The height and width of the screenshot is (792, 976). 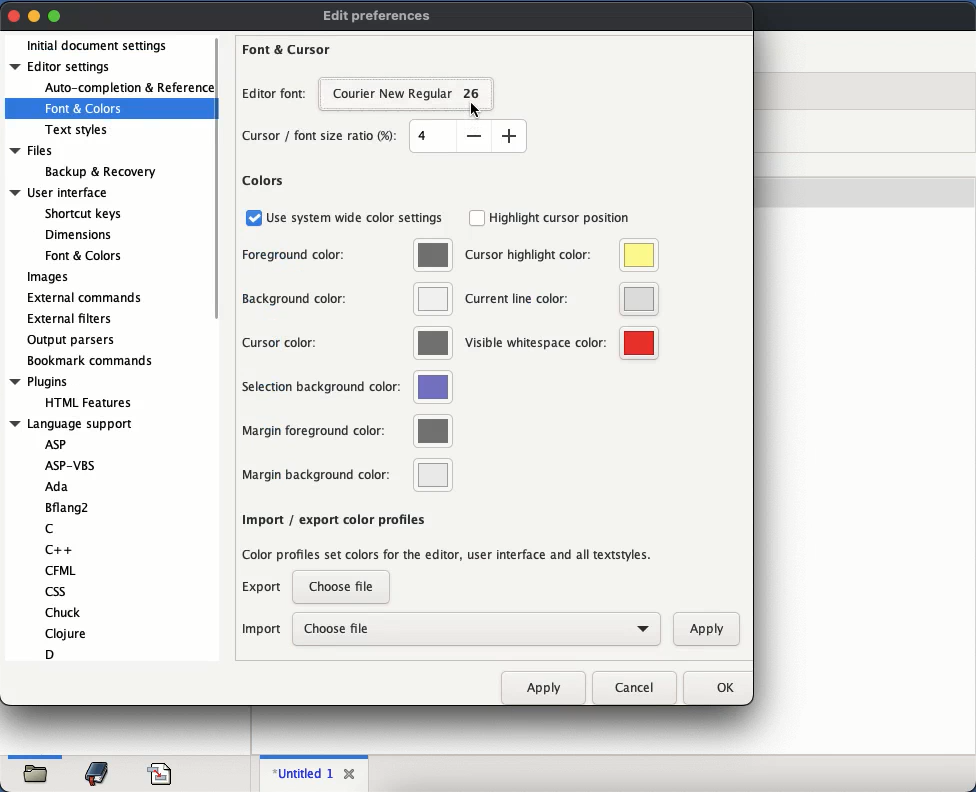 What do you see at coordinates (251, 217) in the screenshot?
I see `checkbox` at bounding box center [251, 217].